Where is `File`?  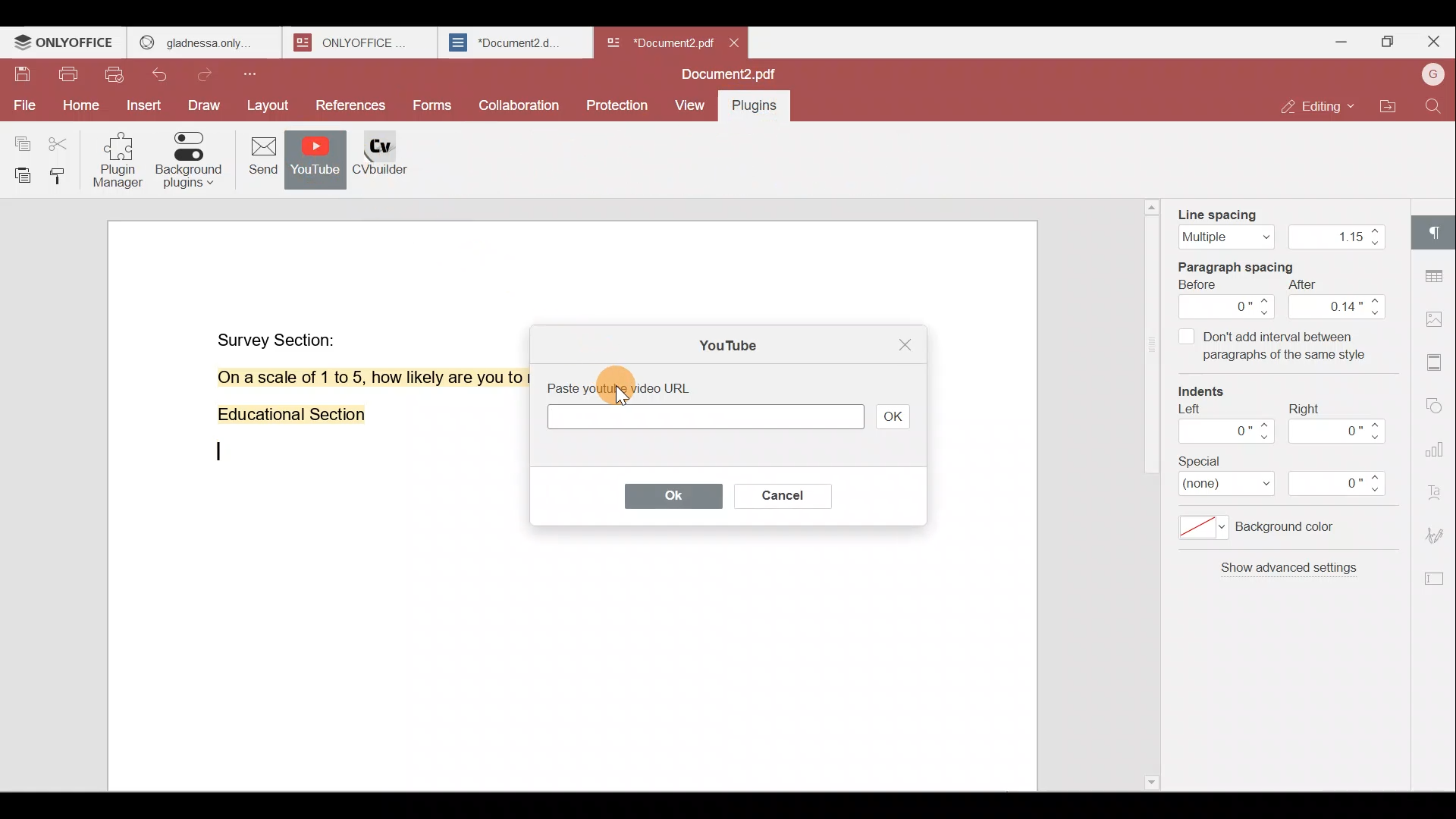
File is located at coordinates (23, 105).